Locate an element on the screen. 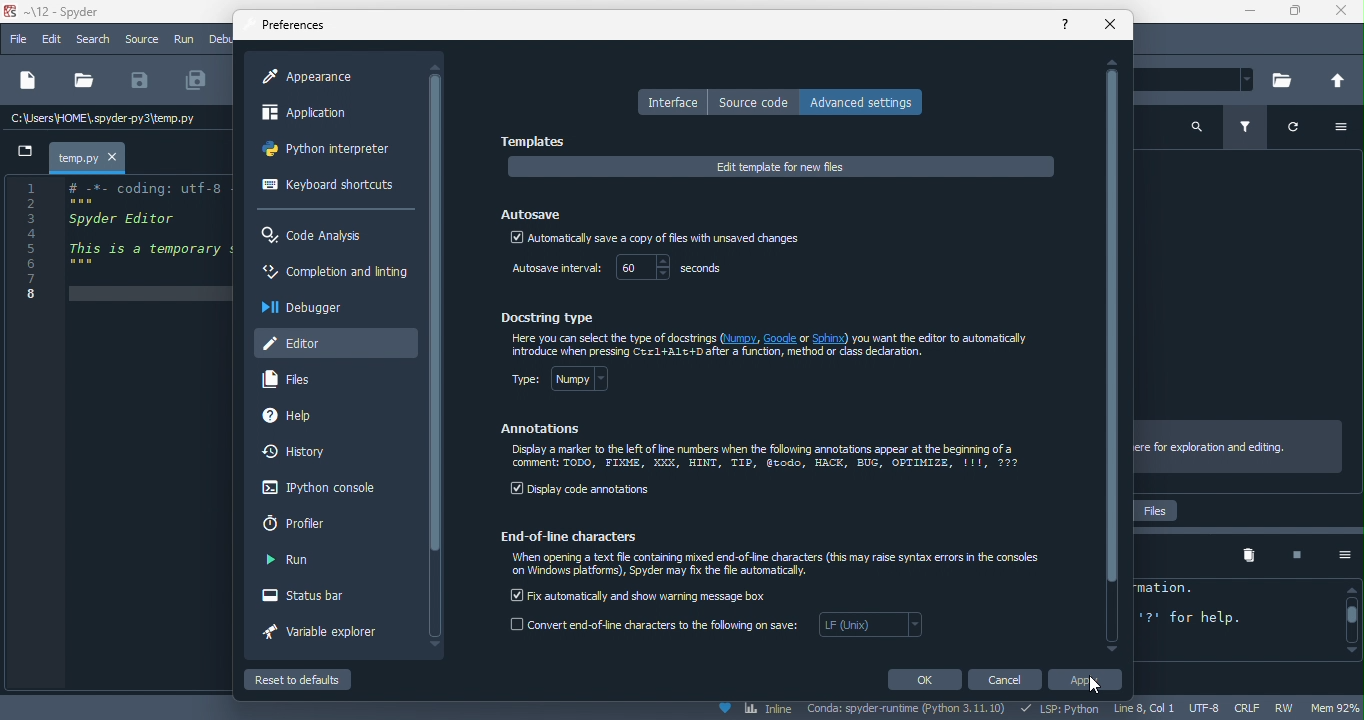 The height and width of the screenshot is (720, 1364). crlf is located at coordinates (1250, 708).